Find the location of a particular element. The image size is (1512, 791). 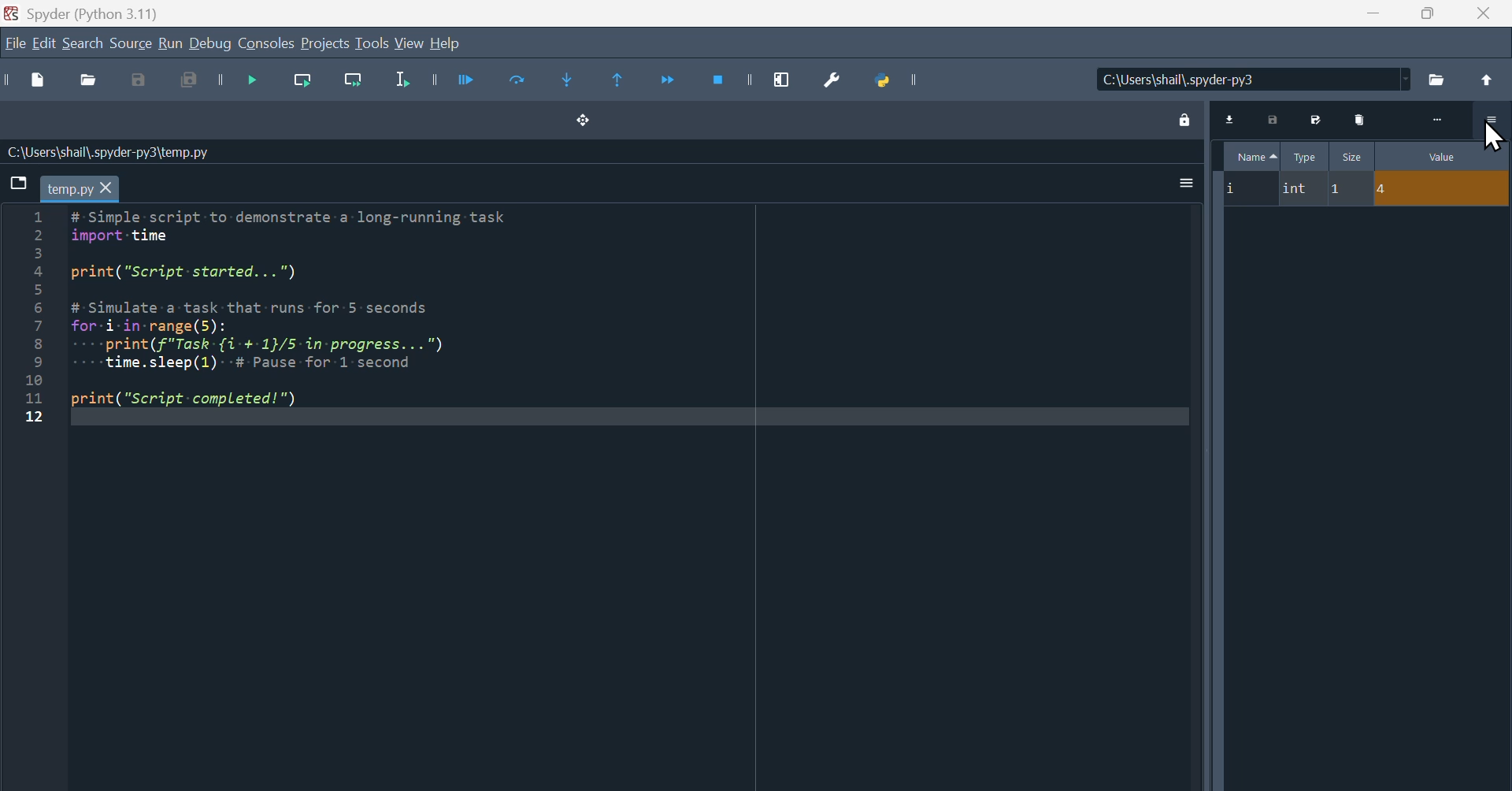

Source is located at coordinates (129, 42).